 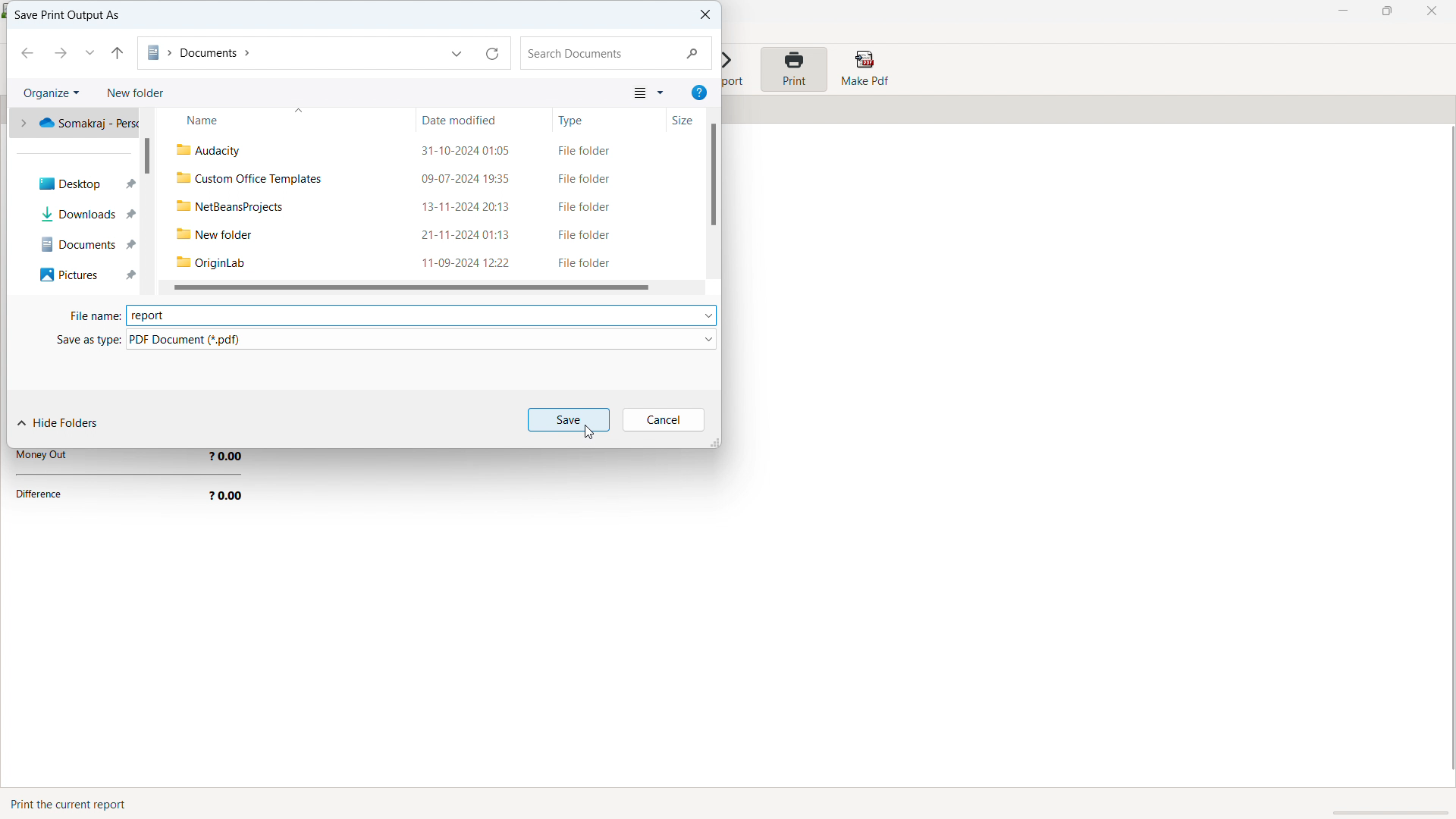 What do you see at coordinates (485, 120) in the screenshot?
I see `date modified` at bounding box center [485, 120].